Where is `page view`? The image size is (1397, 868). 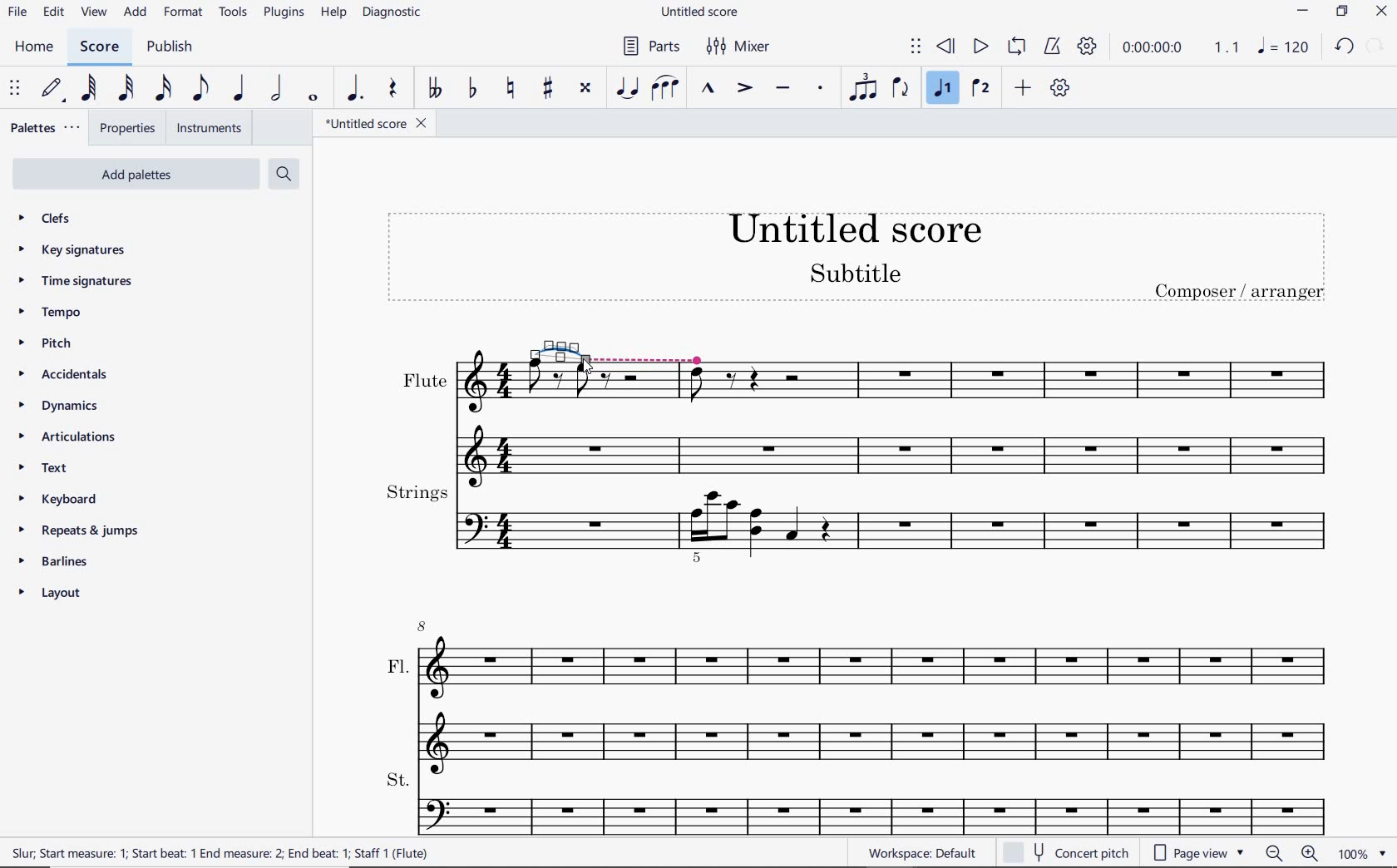
page view is located at coordinates (1197, 852).